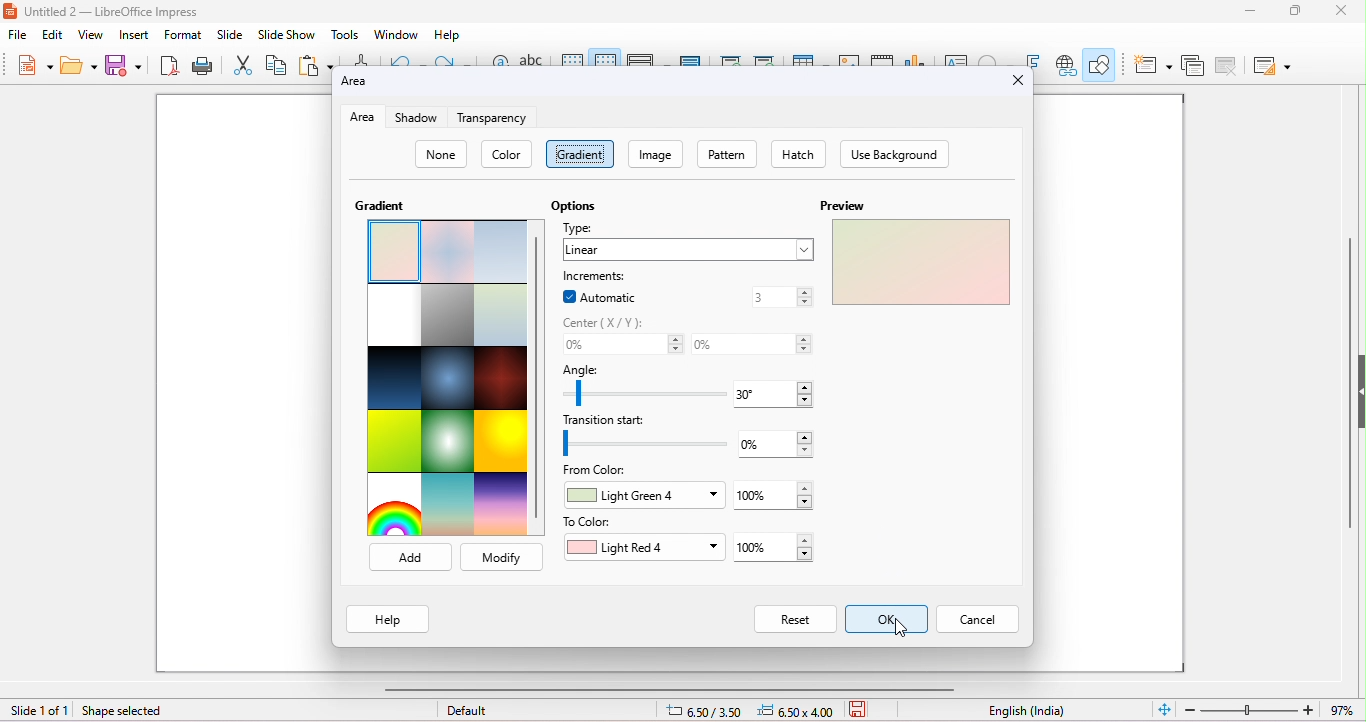 The width and height of the screenshot is (1366, 722). What do you see at coordinates (1229, 68) in the screenshot?
I see `delete slide` at bounding box center [1229, 68].